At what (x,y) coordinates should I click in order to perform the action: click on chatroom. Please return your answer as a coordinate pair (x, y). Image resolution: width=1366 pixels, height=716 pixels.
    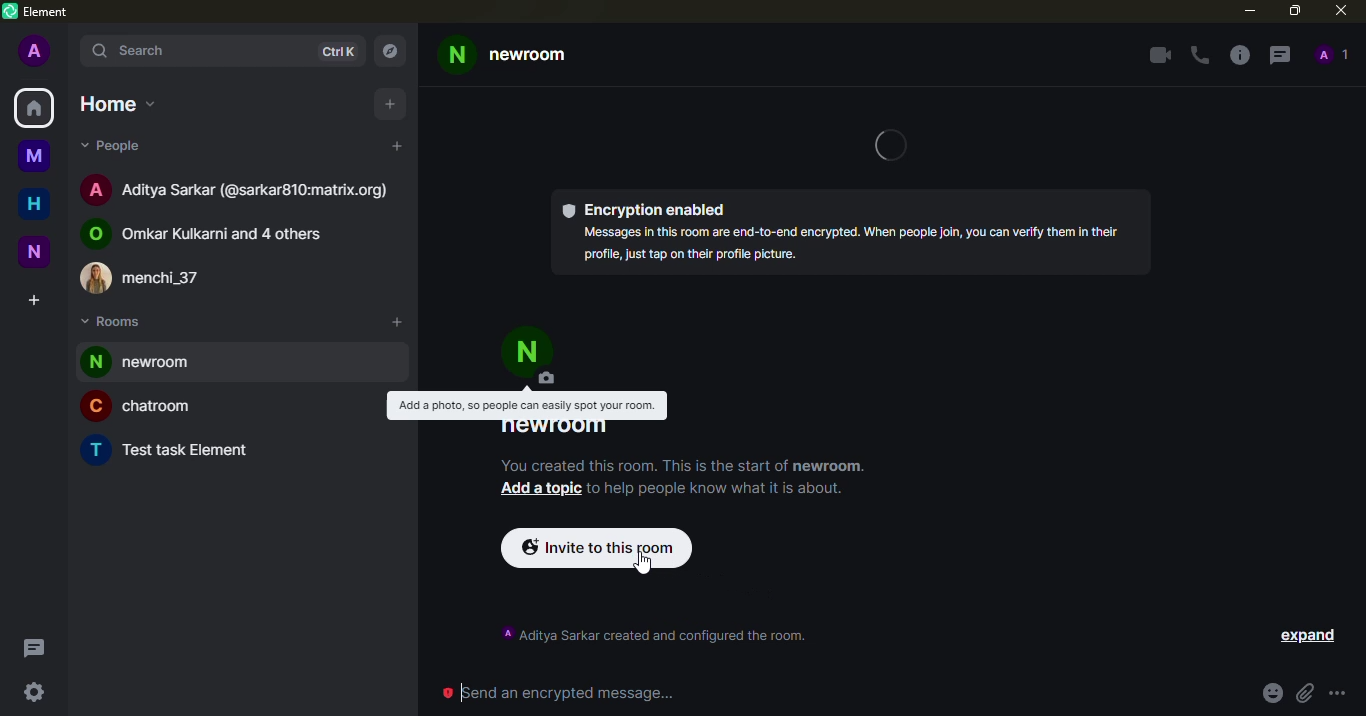
    Looking at the image, I should click on (135, 409).